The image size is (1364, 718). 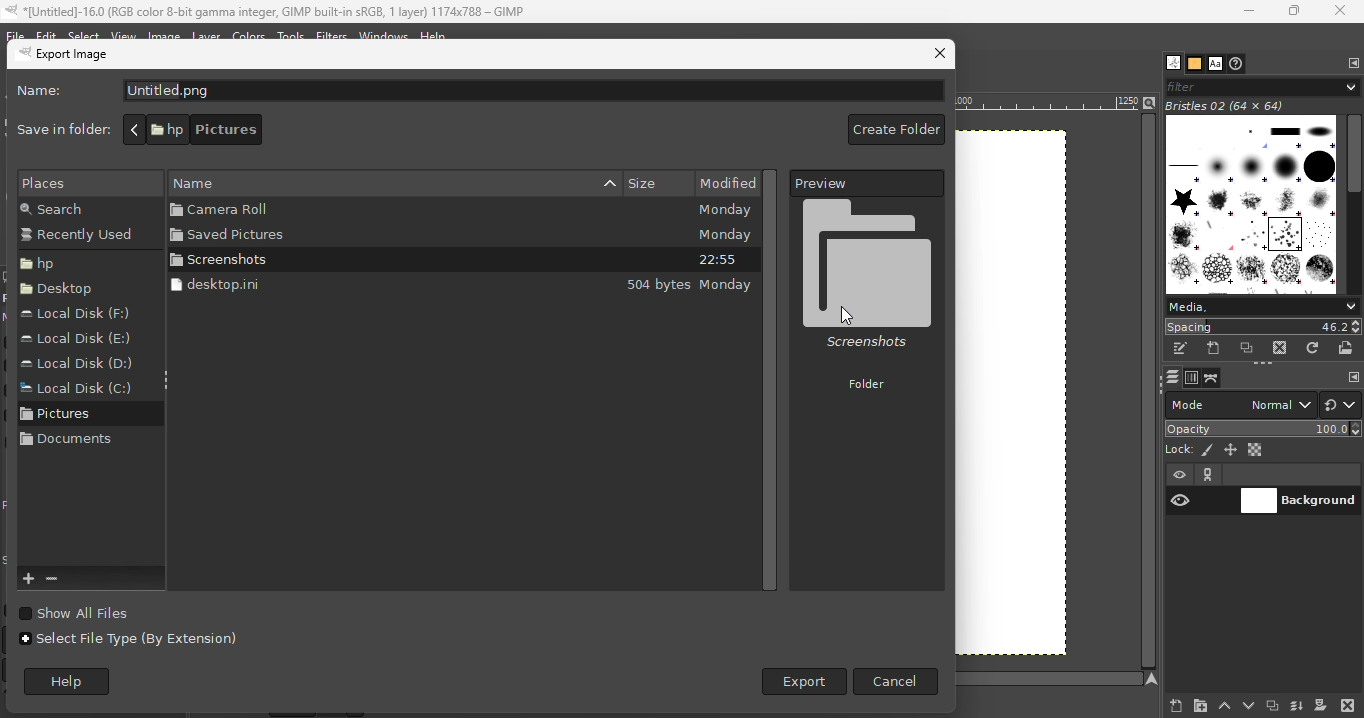 I want to click on Edit this brush, so click(x=1180, y=349).